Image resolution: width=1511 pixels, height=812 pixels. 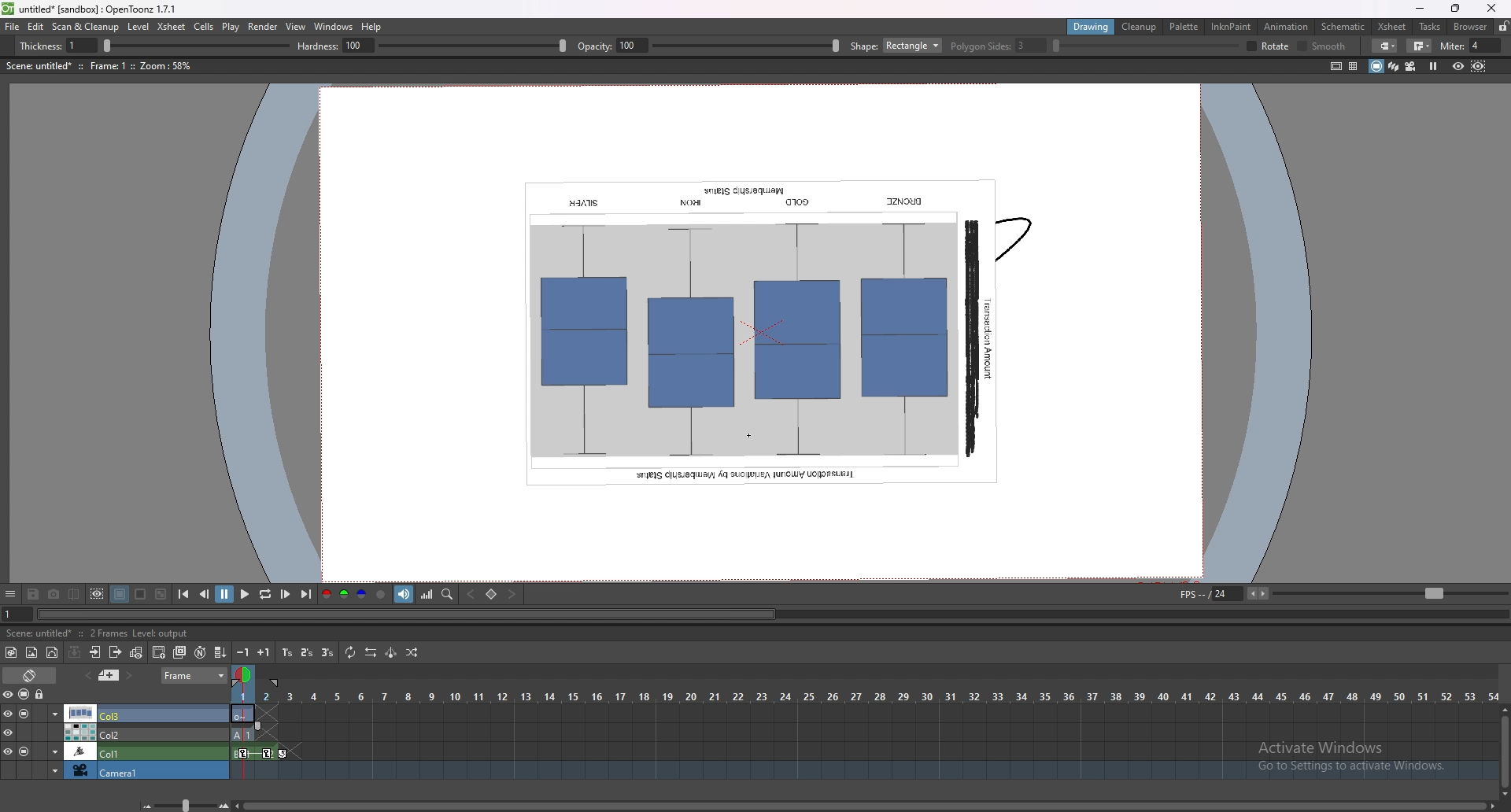 I want to click on render, so click(x=264, y=27).